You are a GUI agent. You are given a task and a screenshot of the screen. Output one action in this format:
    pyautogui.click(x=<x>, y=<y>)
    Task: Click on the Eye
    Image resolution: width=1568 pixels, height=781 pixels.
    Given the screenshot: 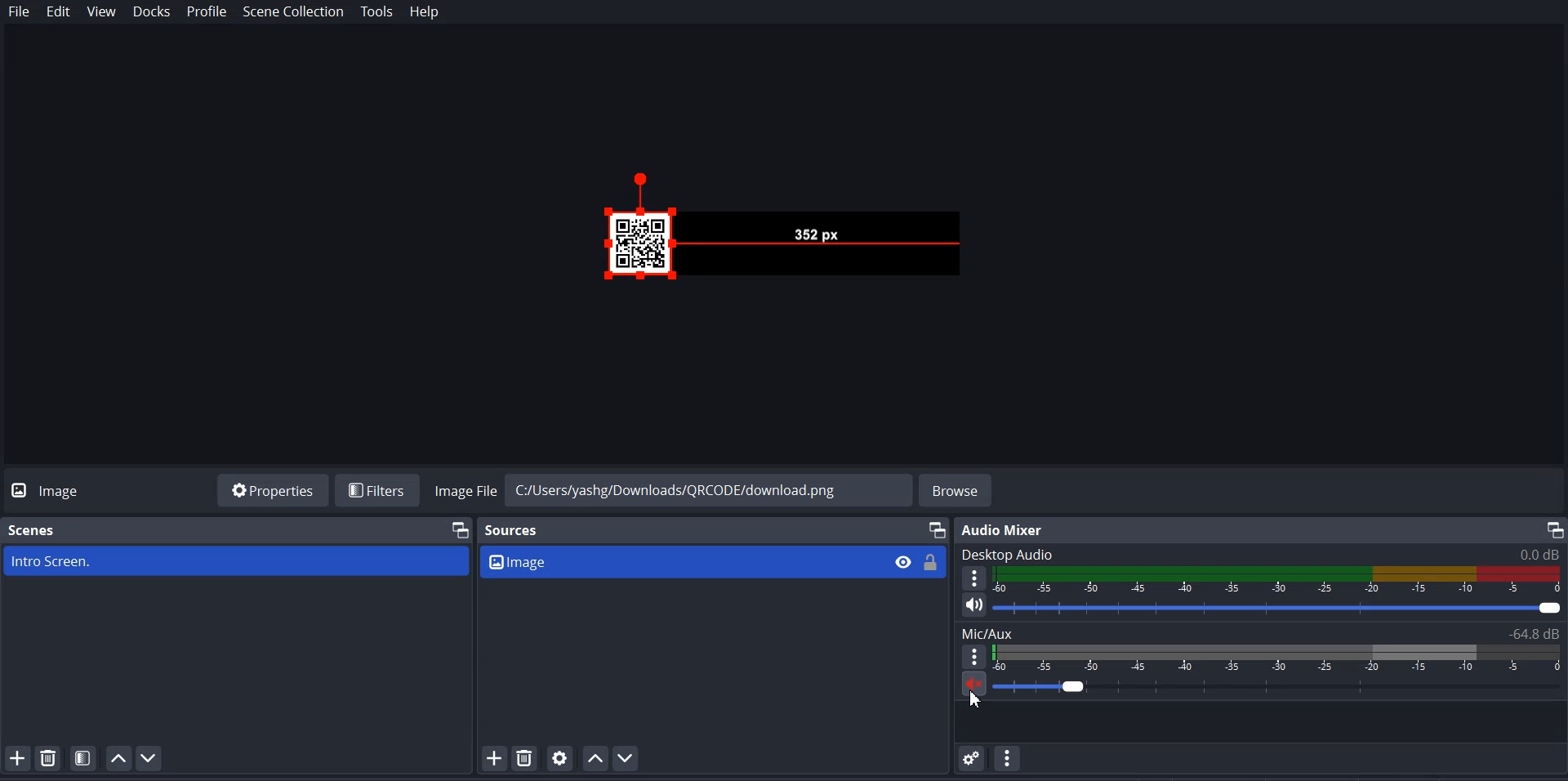 What is the action you would take?
    pyautogui.click(x=902, y=561)
    